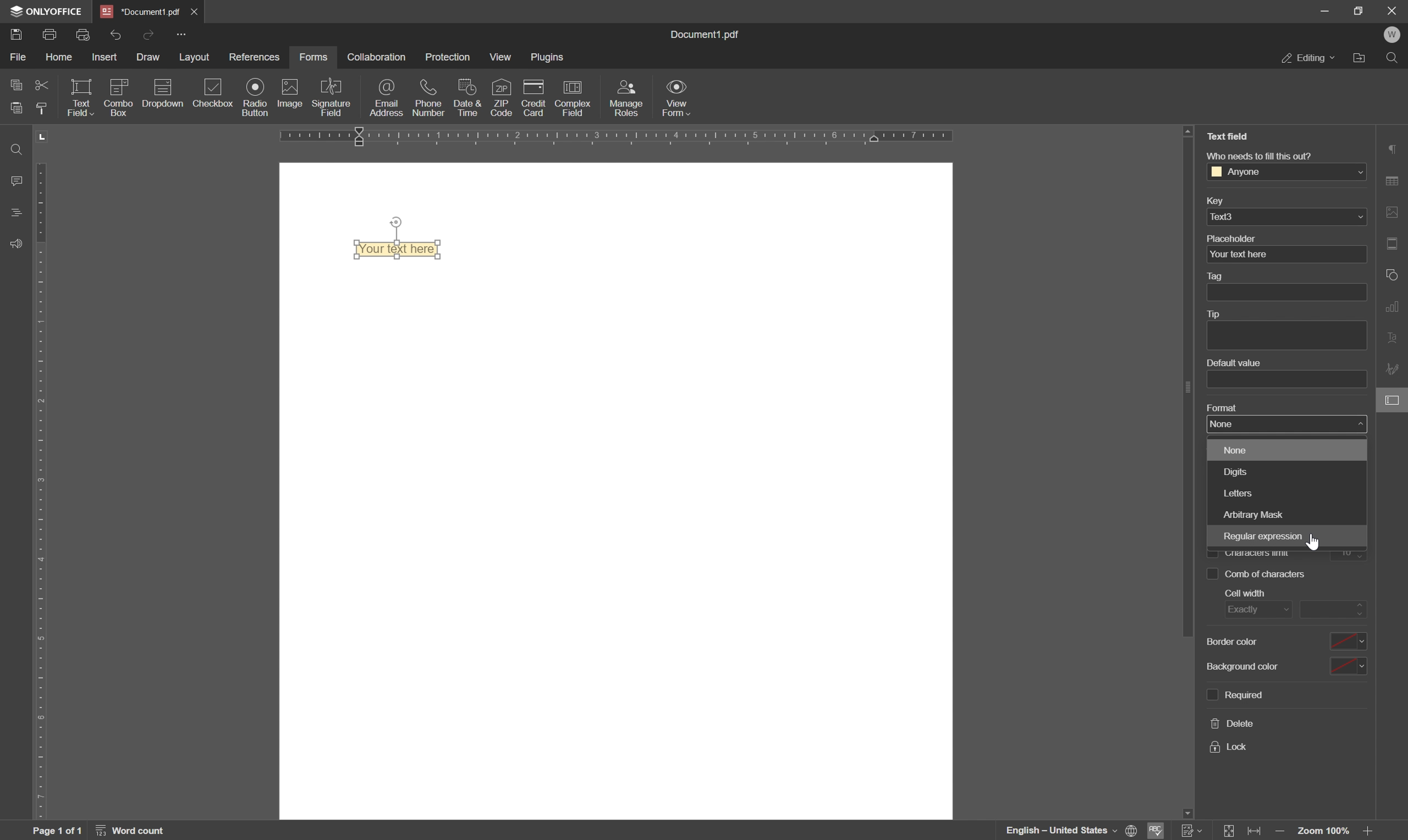 This screenshot has width=1408, height=840. I want to click on ruler, so click(45, 474).